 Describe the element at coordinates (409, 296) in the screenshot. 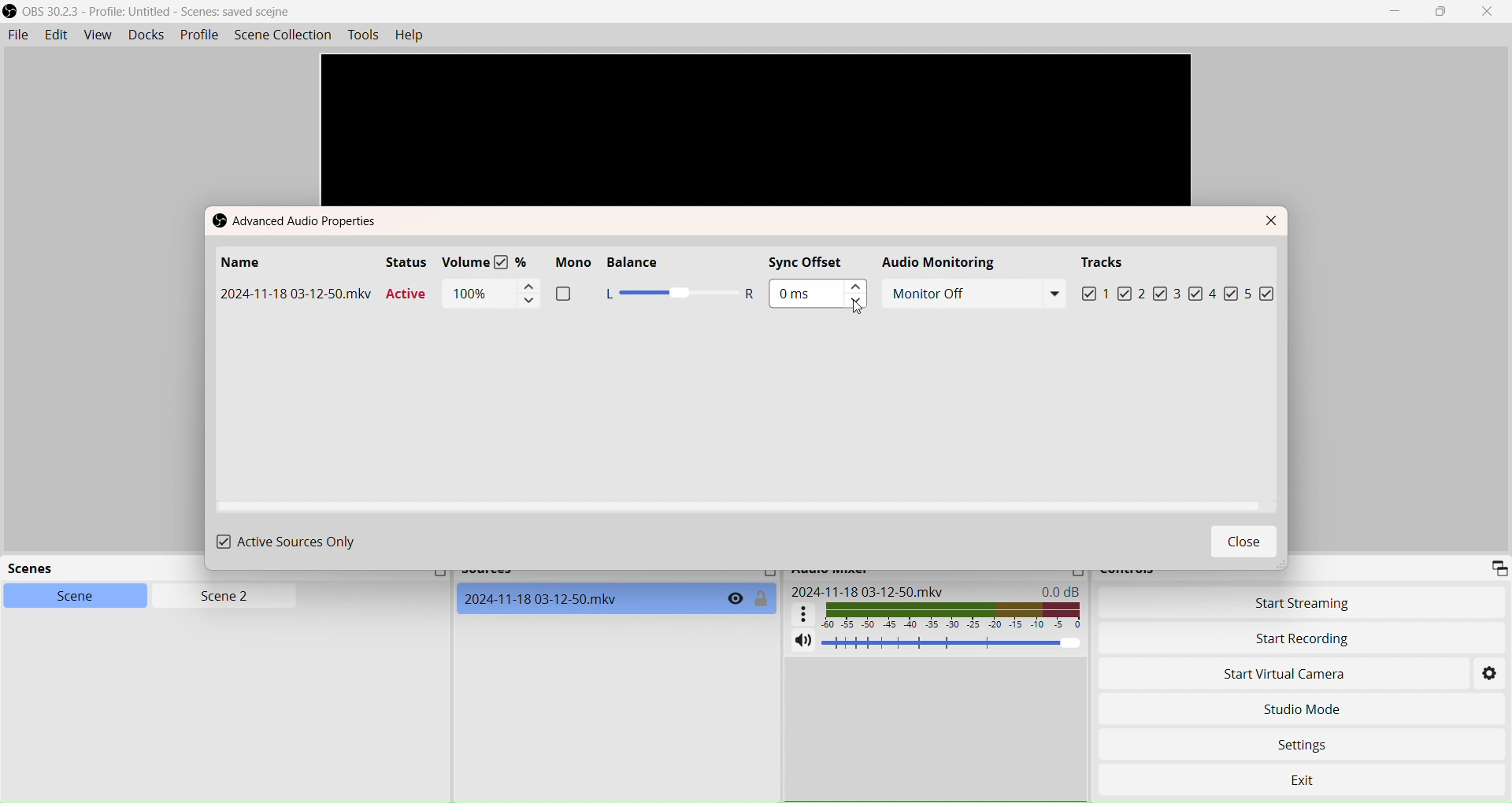

I see `Active` at that location.